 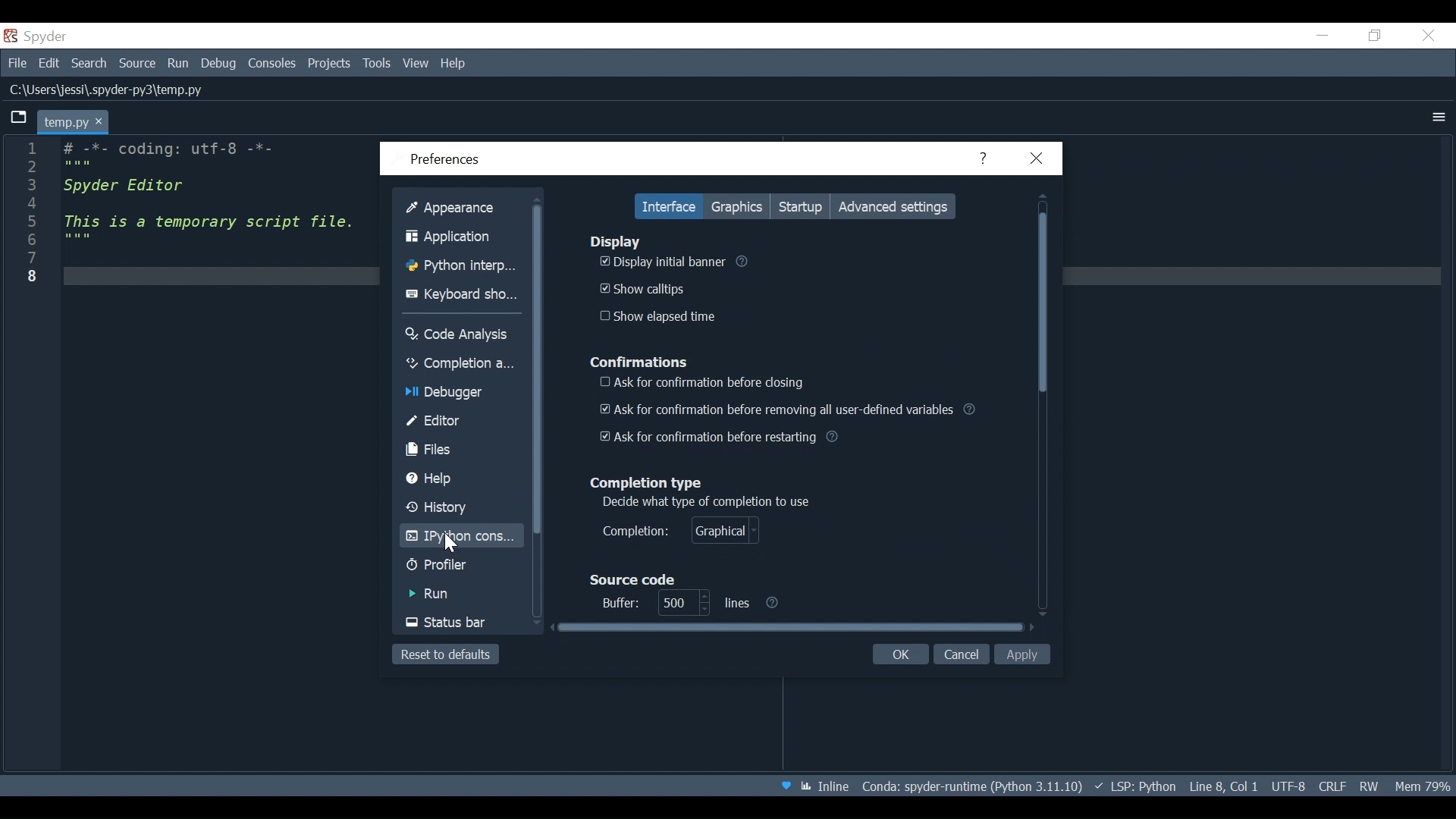 What do you see at coordinates (460, 237) in the screenshot?
I see `Application` at bounding box center [460, 237].